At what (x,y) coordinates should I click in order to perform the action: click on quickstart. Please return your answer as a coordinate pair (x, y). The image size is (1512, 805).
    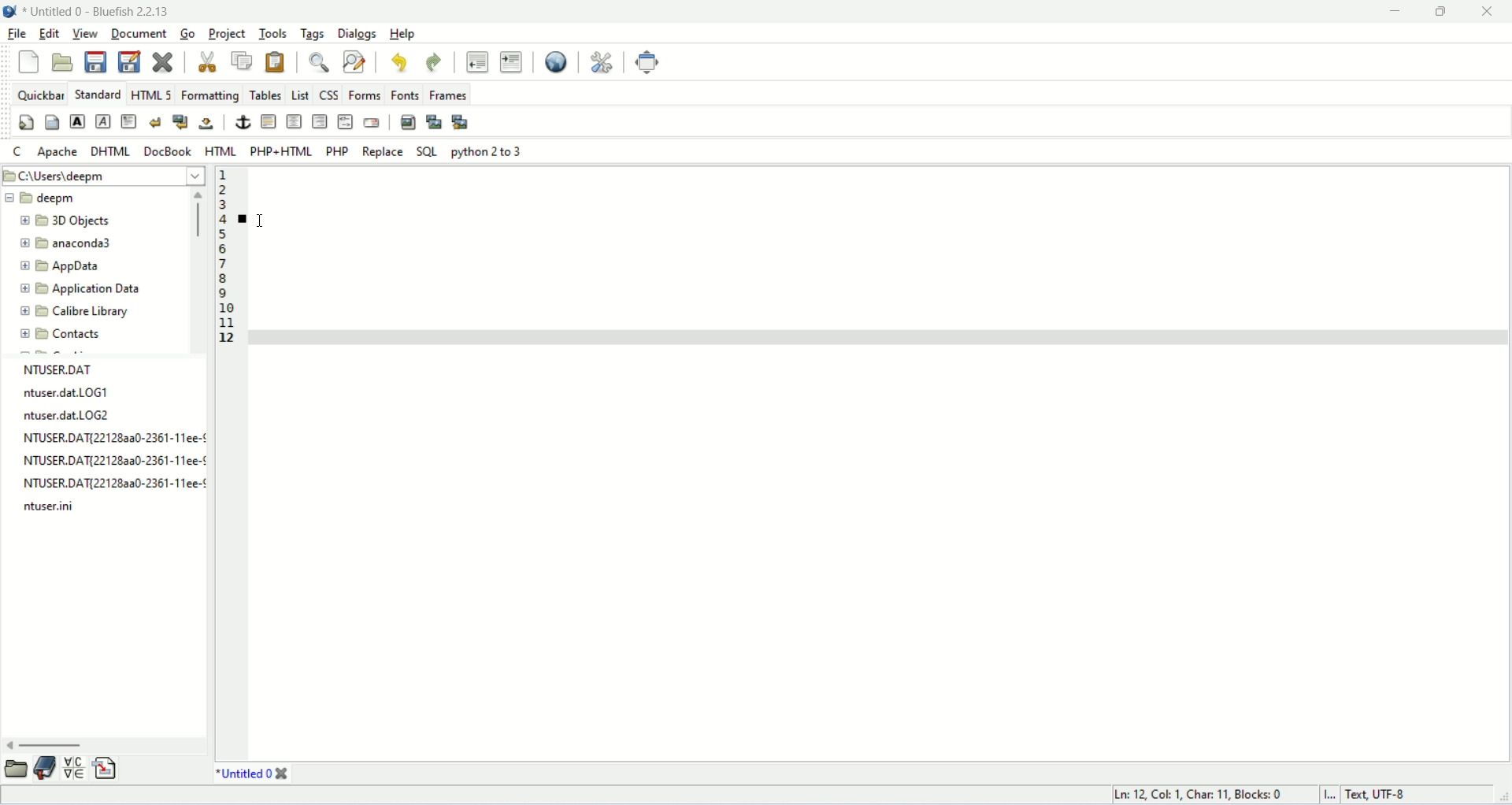
    Looking at the image, I should click on (28, 123).